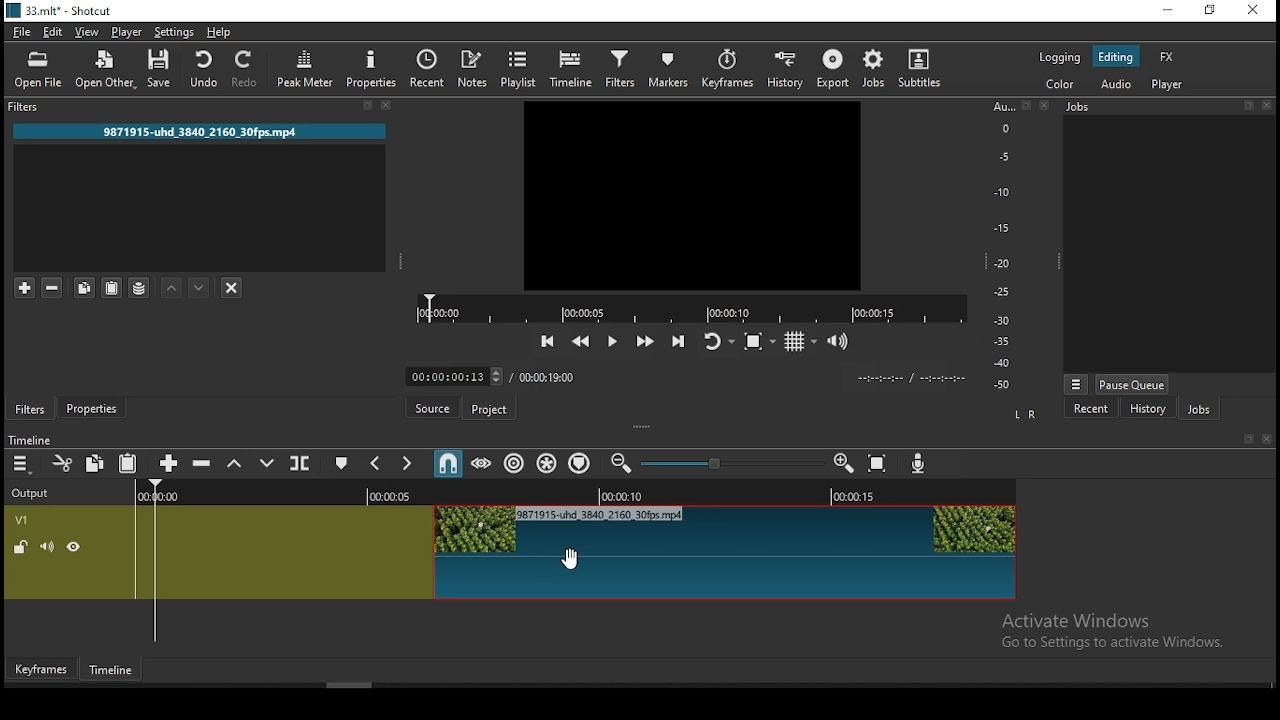 The width and height of the screenshot is (1280, 720). Describe the element at coordinates (618, 464) in the screenshot. I see `zoom timeline out` at that location.